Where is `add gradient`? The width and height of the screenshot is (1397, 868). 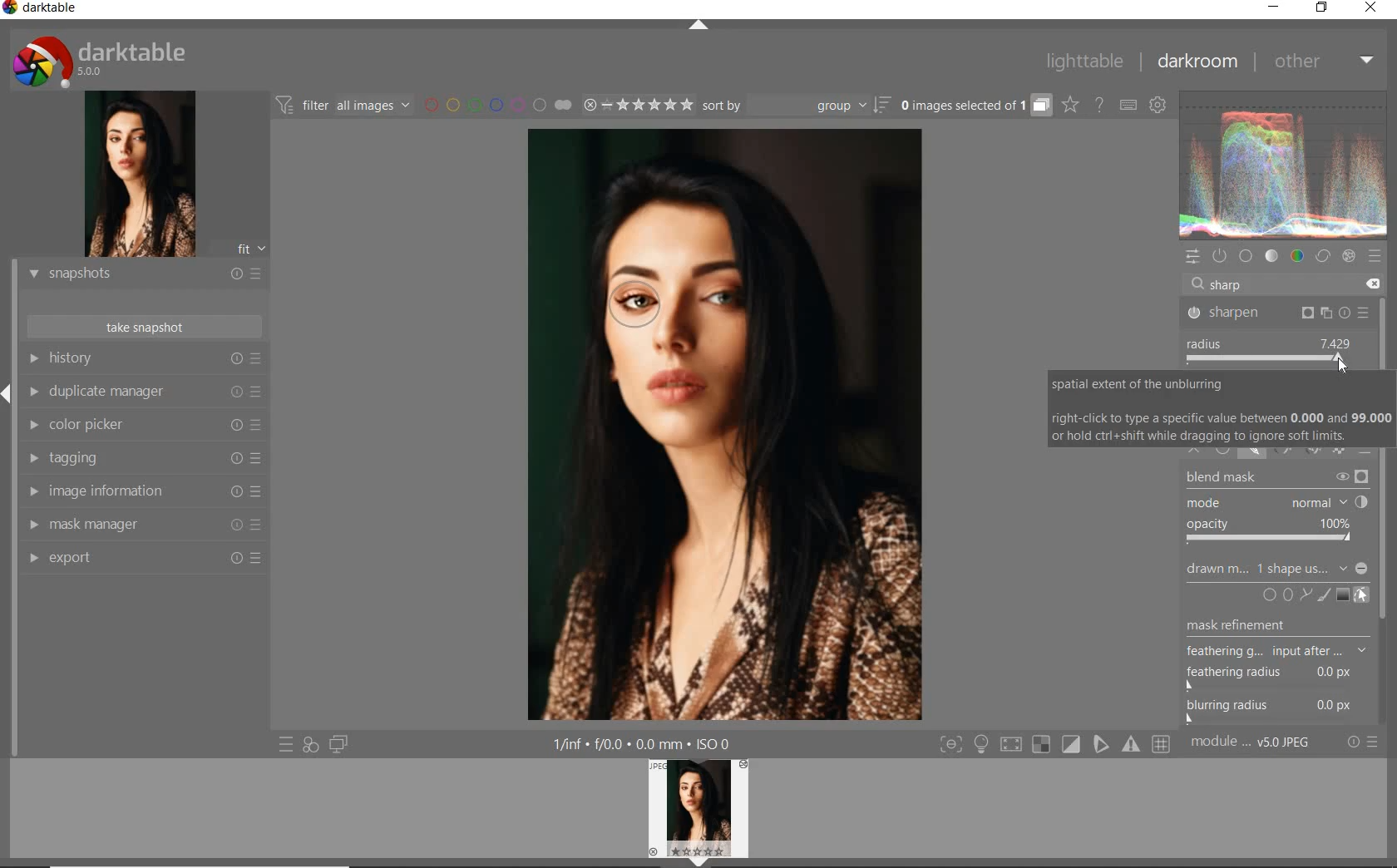
add gradient is located at coordinates (1344, 594).